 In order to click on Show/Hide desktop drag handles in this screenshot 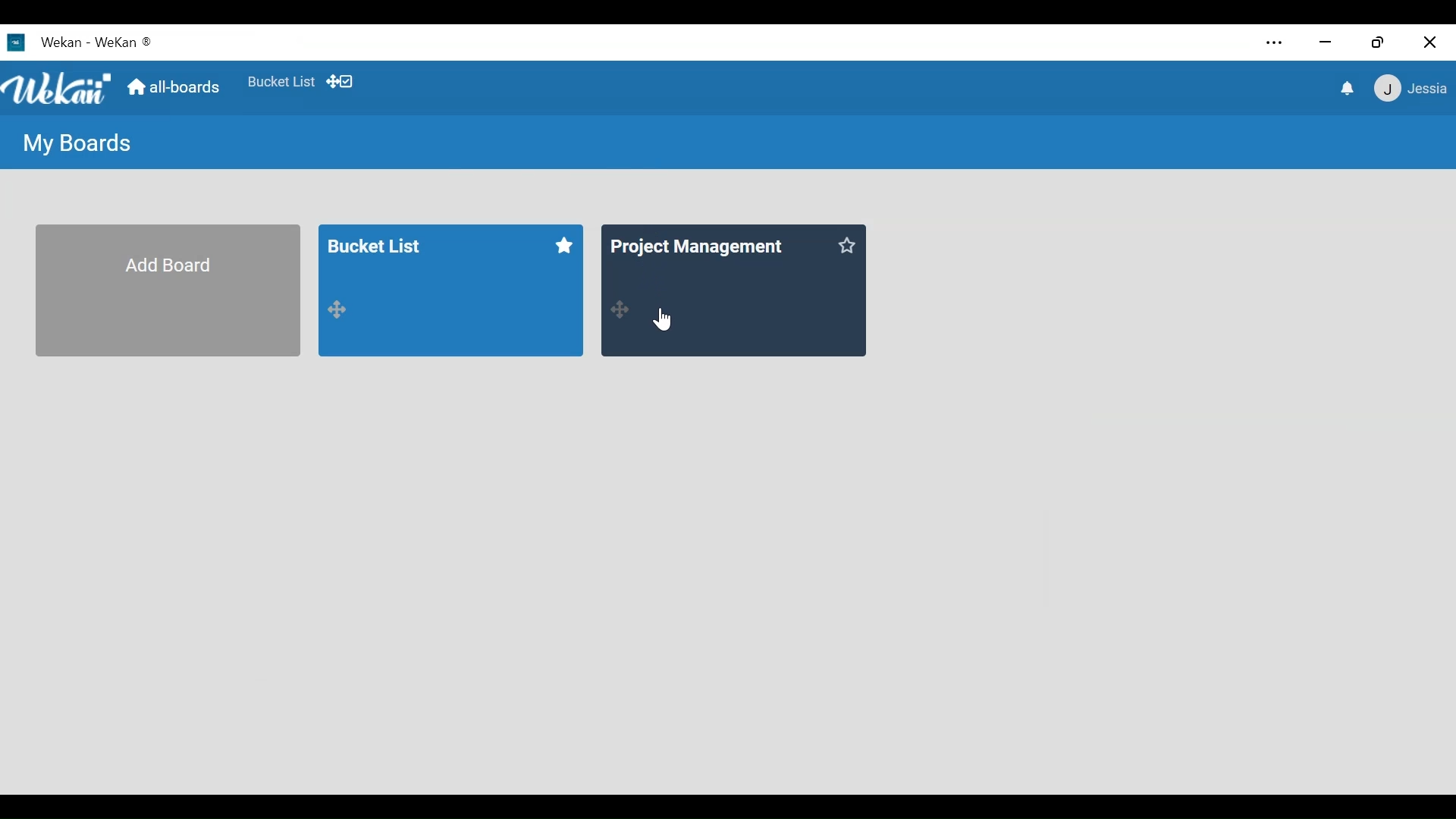, I will do `click(340, 83)`.